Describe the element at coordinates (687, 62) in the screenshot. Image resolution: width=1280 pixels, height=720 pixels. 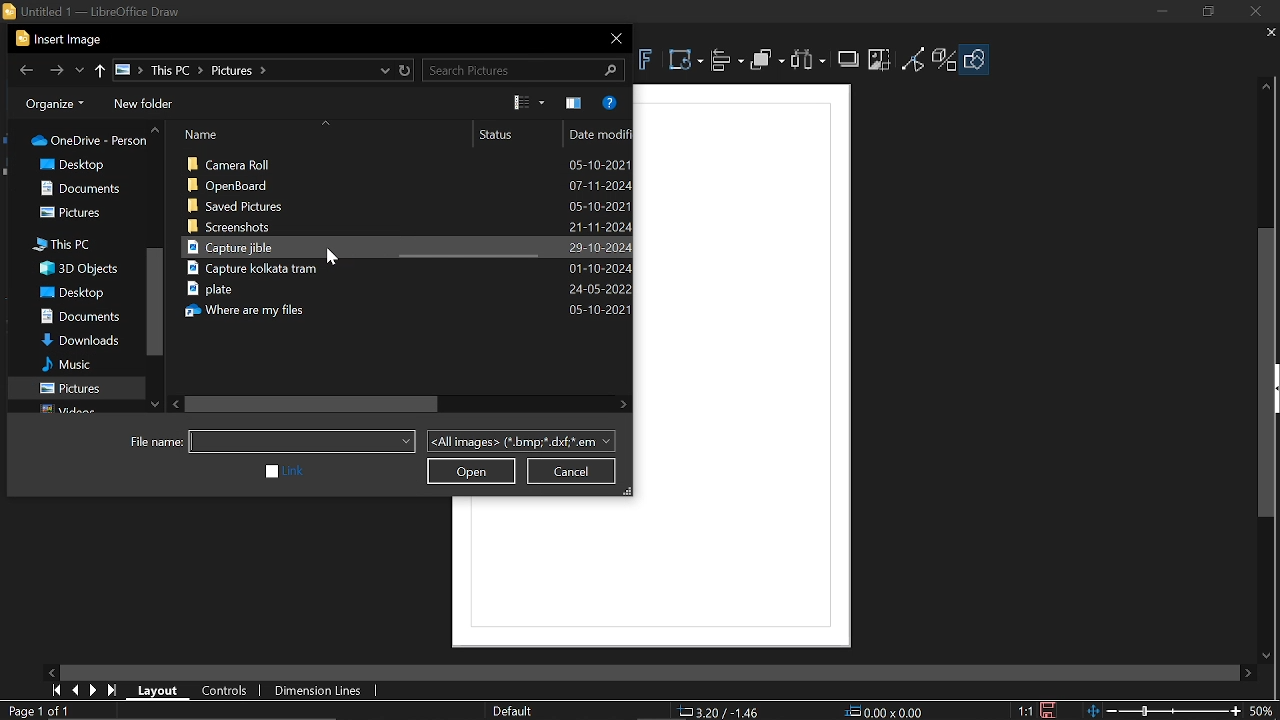
I see `Transformations` at that location.